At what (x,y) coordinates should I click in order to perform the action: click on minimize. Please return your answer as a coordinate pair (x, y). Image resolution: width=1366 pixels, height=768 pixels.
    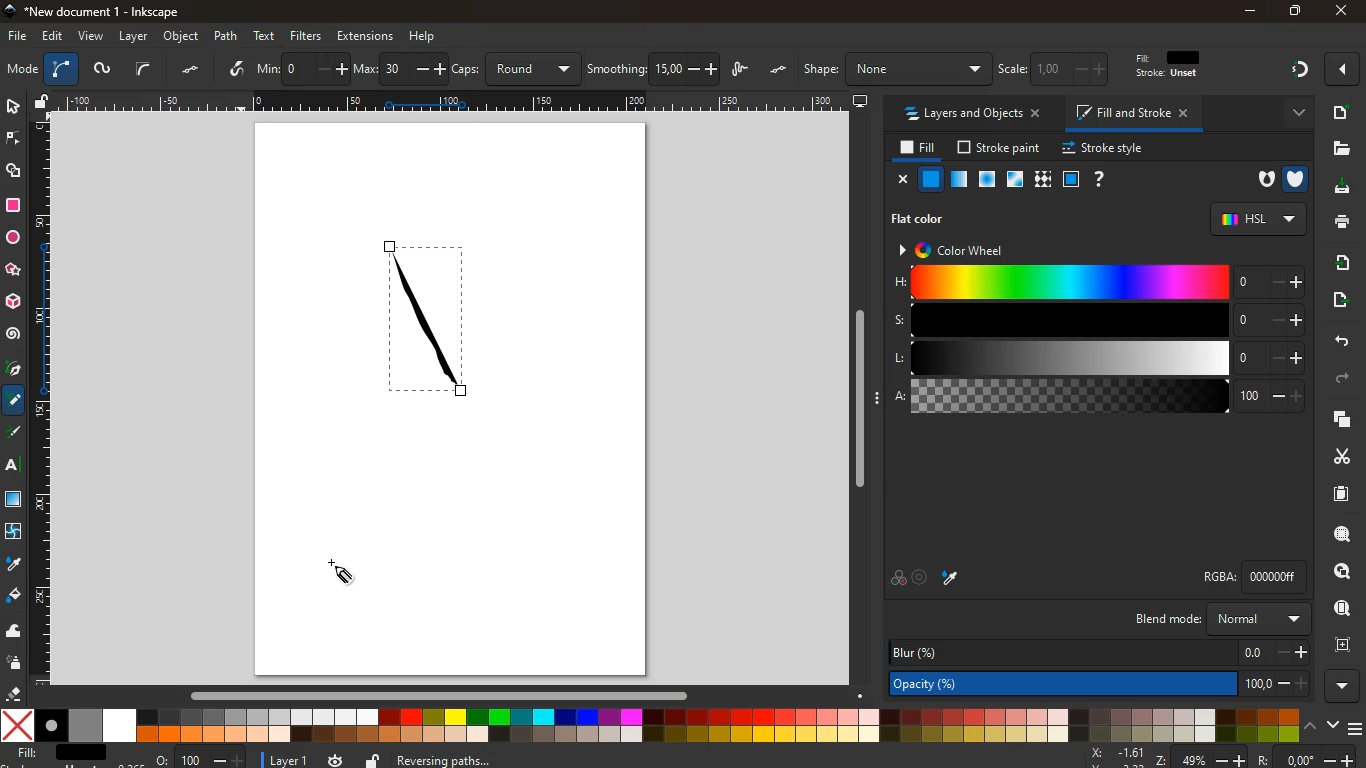
    Looking at the image, I should click on (1252, 12).